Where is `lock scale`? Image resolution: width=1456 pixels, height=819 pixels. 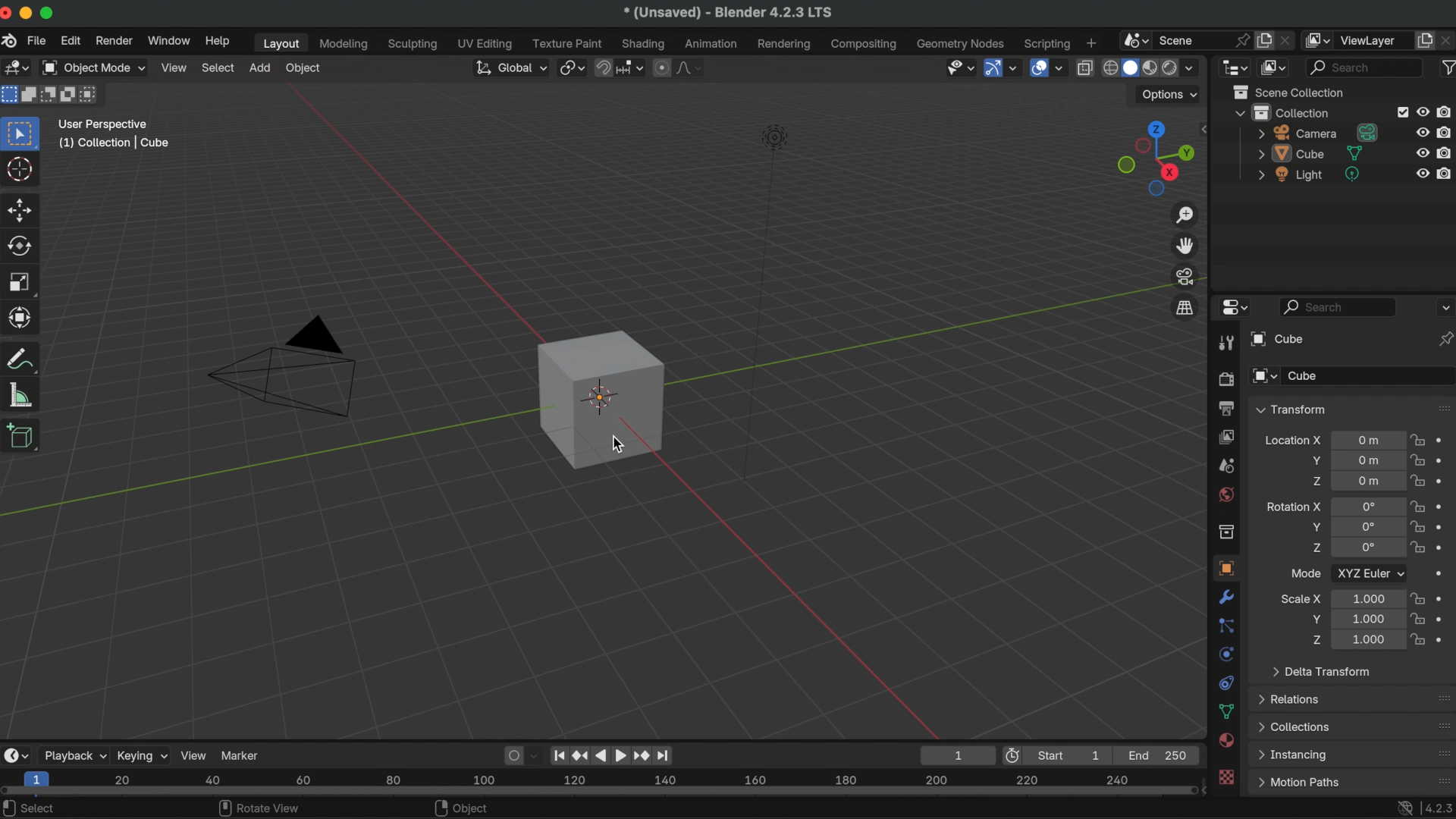 lock scale is located at coordinates (1417, 619).